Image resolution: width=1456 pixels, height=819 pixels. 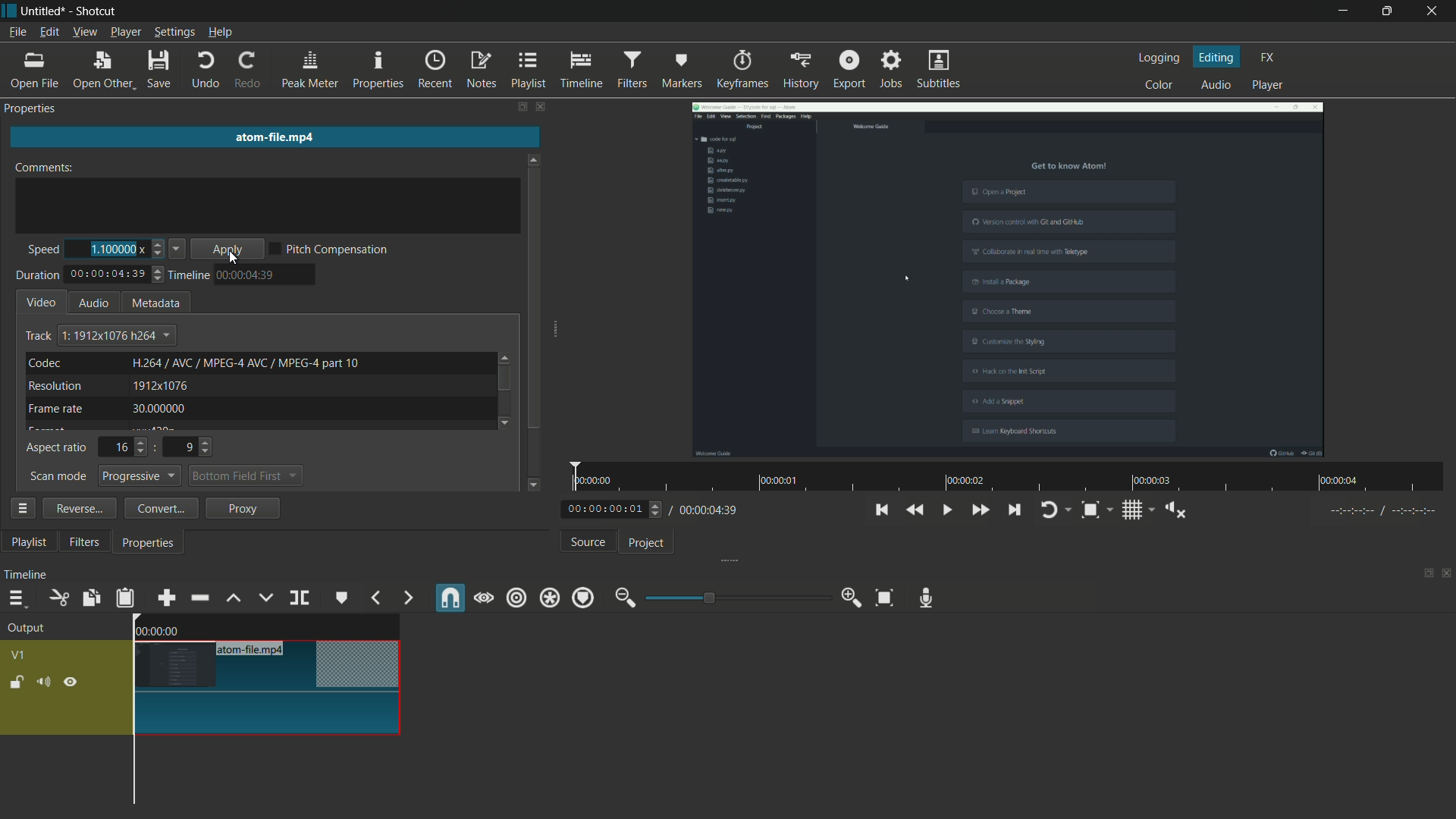 I want to click on go down, so click(x=535, y=482).